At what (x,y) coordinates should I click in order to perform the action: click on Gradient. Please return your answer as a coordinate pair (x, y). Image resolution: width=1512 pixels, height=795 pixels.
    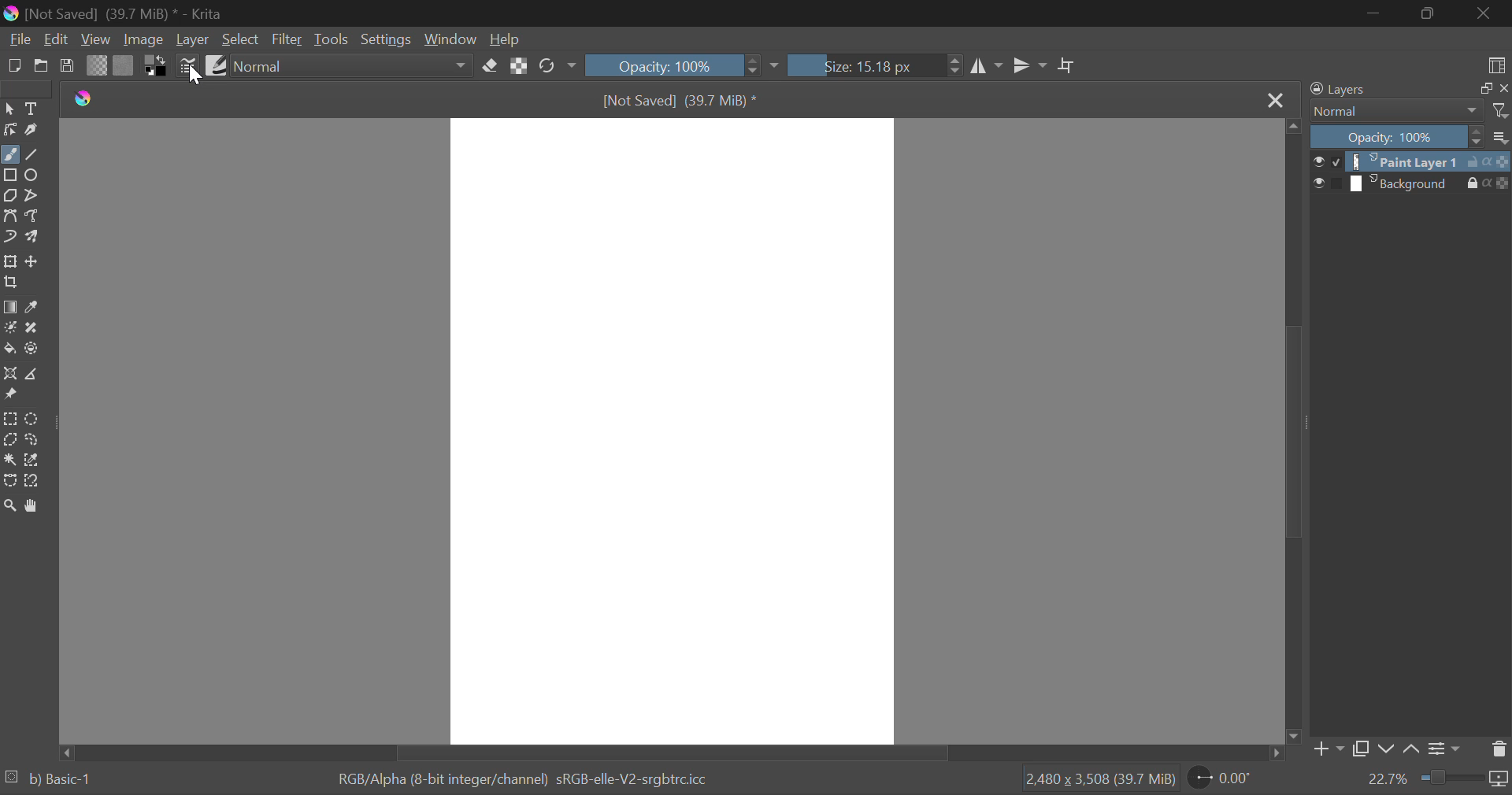
    Looking at the image, I should click on (98, 65).